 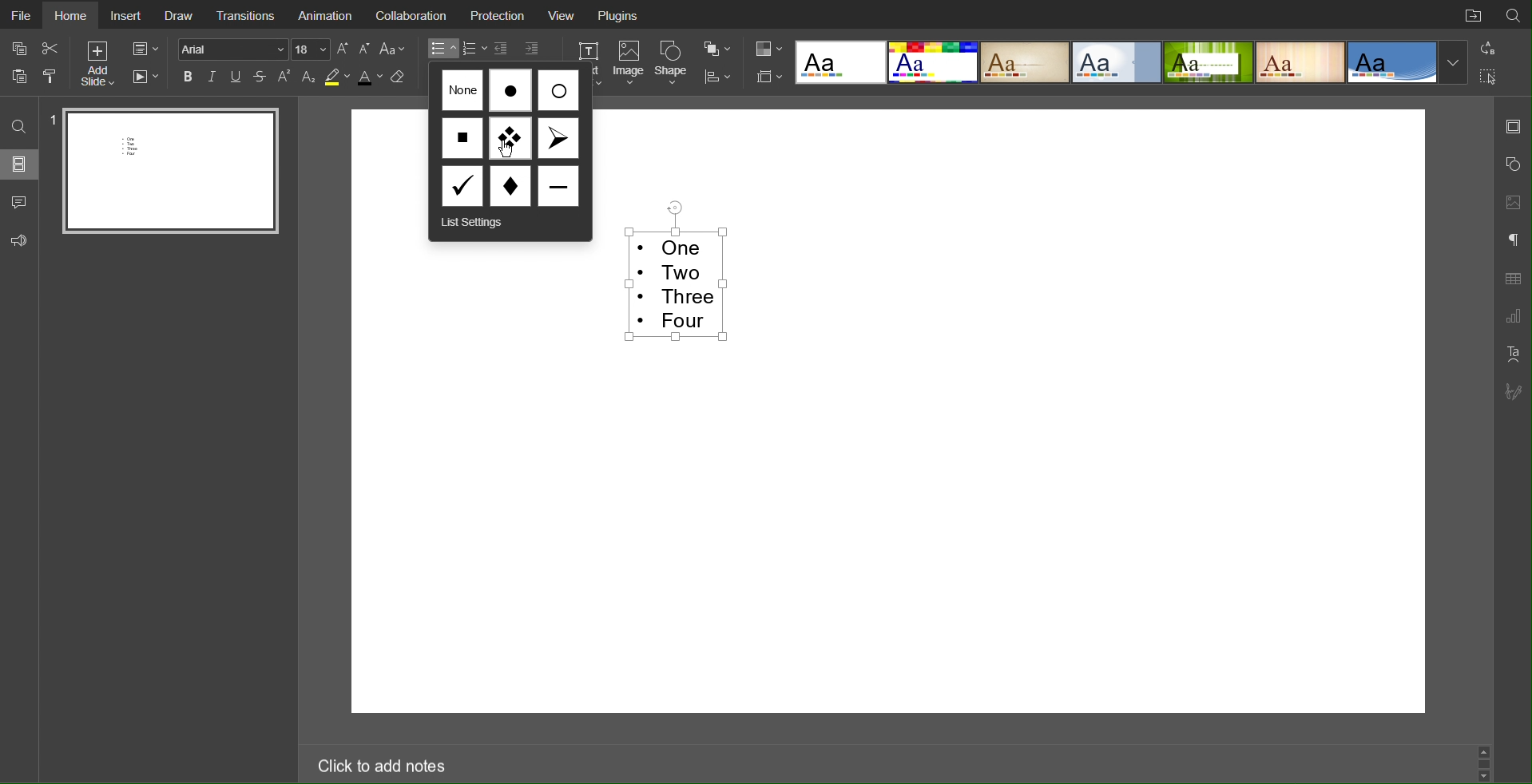 What do you see at coordinates (101, 64) in the screenshot?
I see `Add Slide` at bounding box center [101, 64].